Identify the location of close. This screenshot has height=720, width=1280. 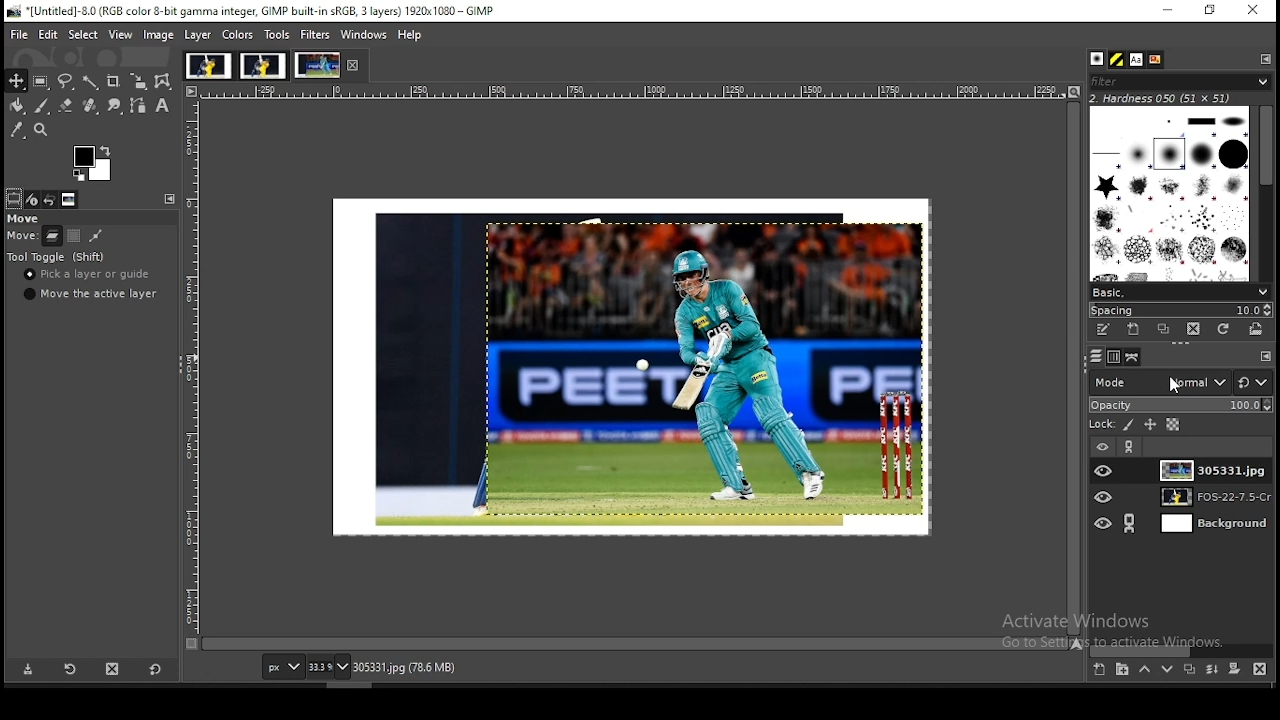
(351, 65).